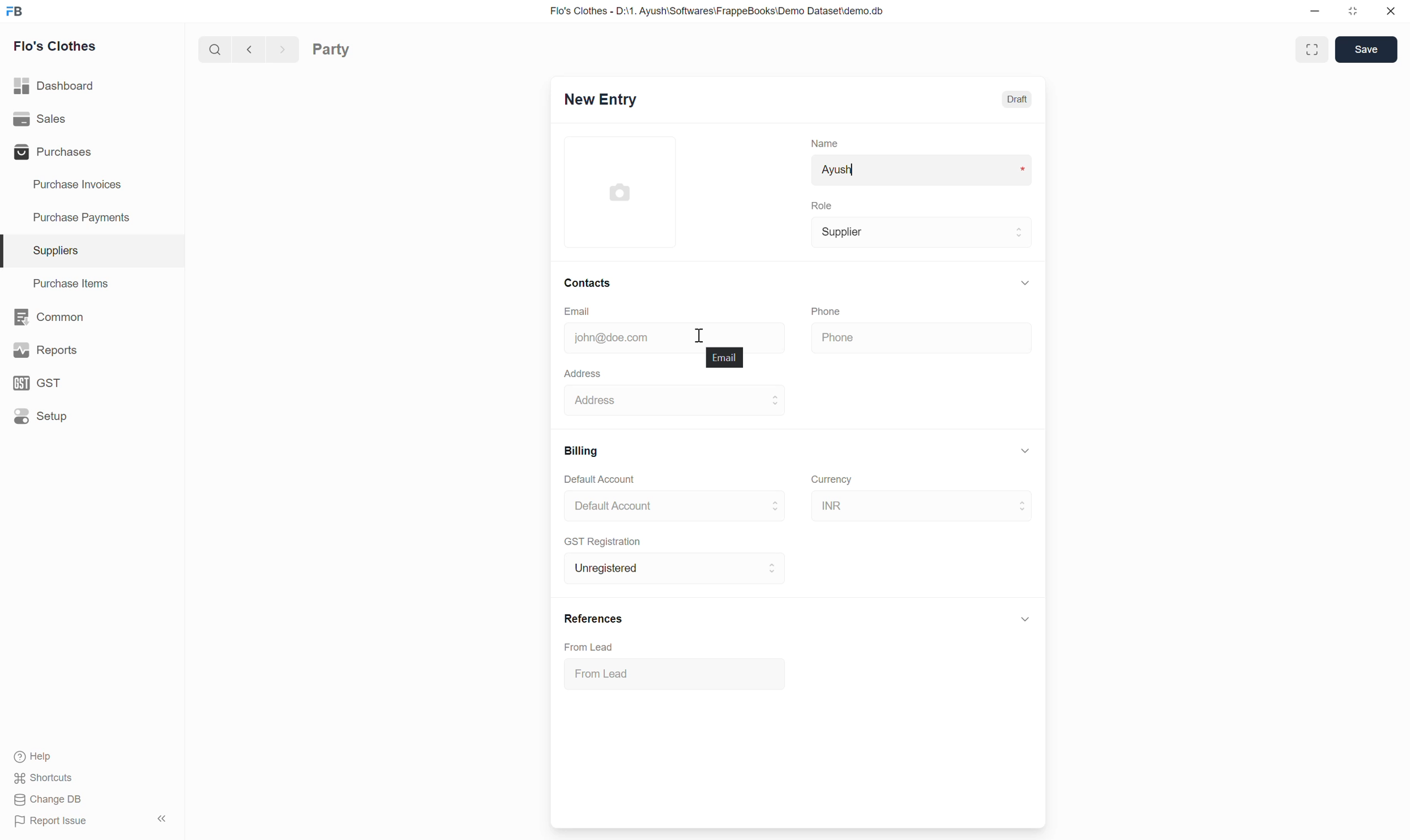  Describe the element at coordinates (162, 818) in the screenshot. I see `Collapse sidebar` at that location.